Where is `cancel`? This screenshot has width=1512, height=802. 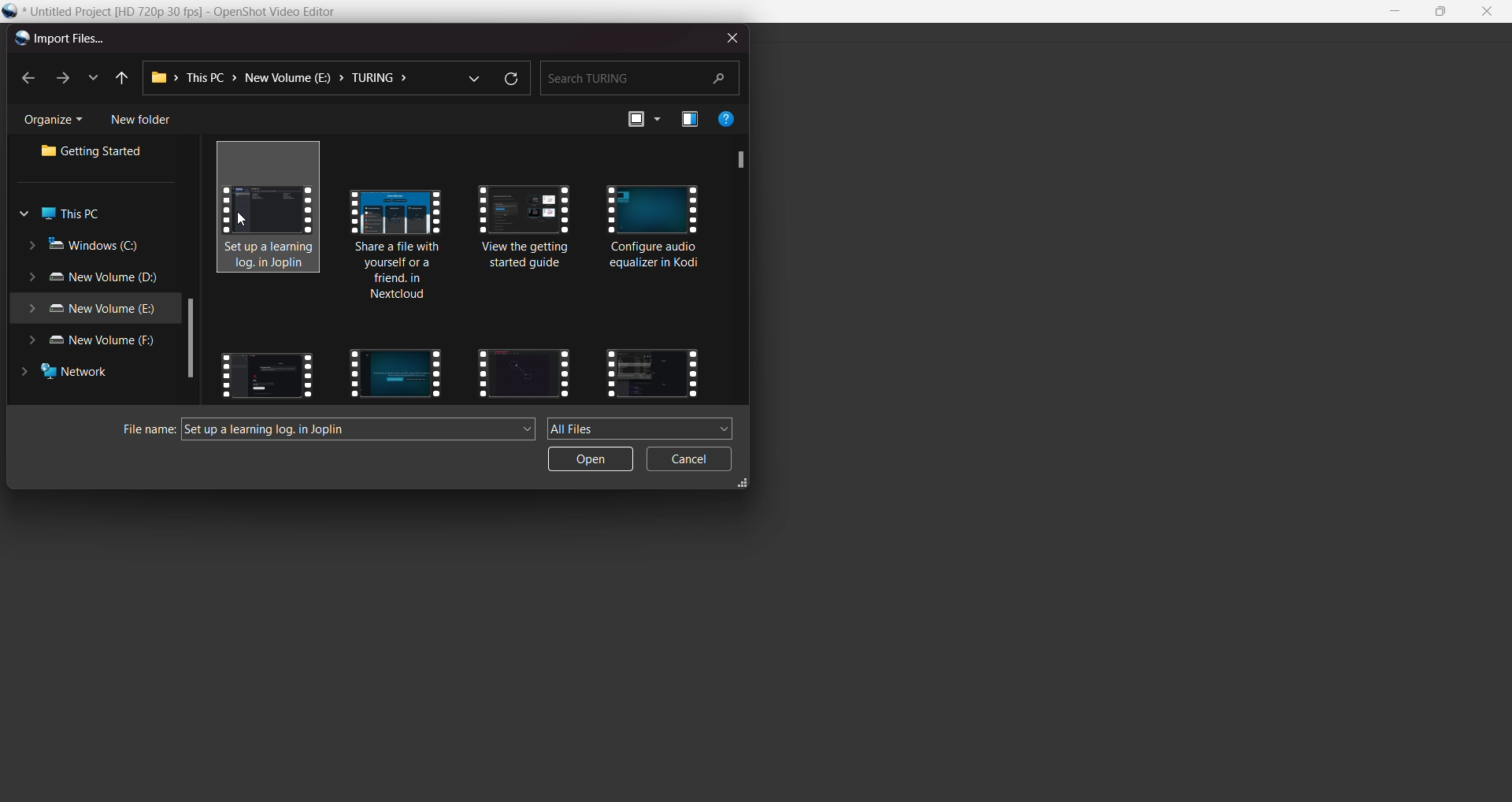
cancel is located at coordinates (691, 460).